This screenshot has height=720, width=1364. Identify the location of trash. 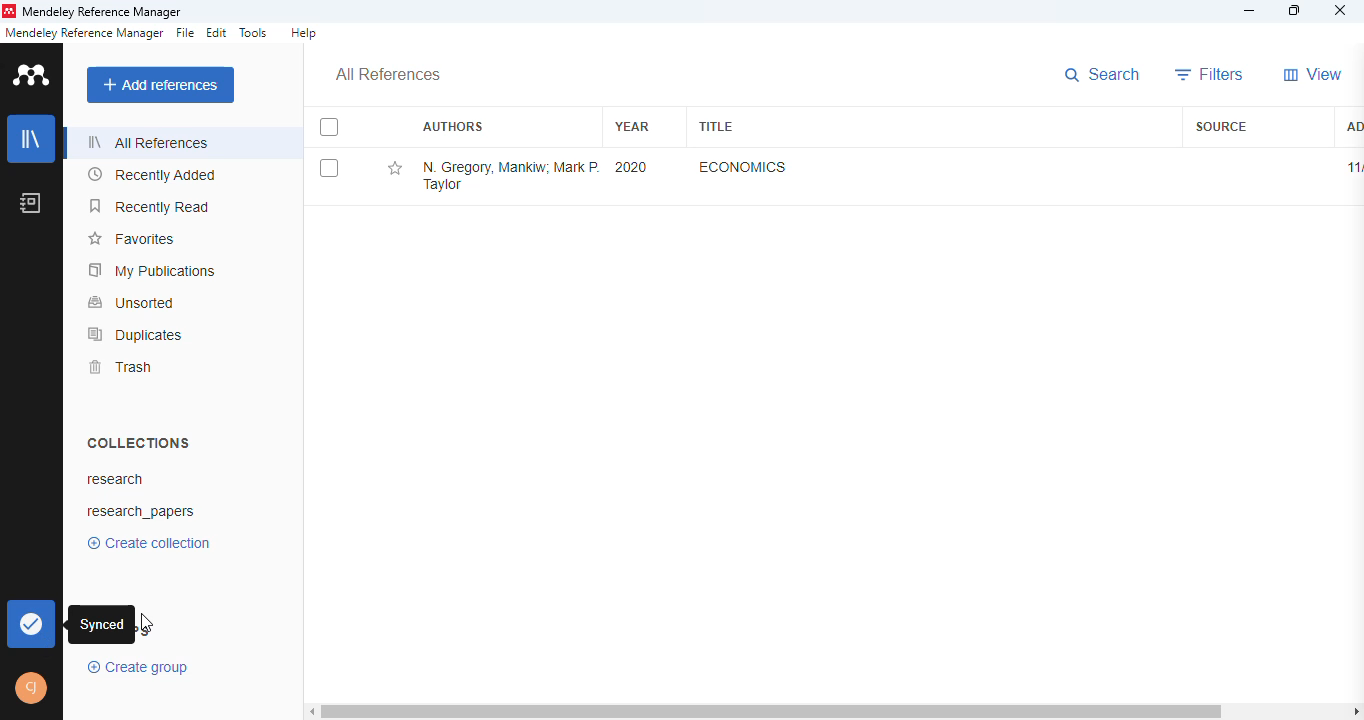
(121, 367).